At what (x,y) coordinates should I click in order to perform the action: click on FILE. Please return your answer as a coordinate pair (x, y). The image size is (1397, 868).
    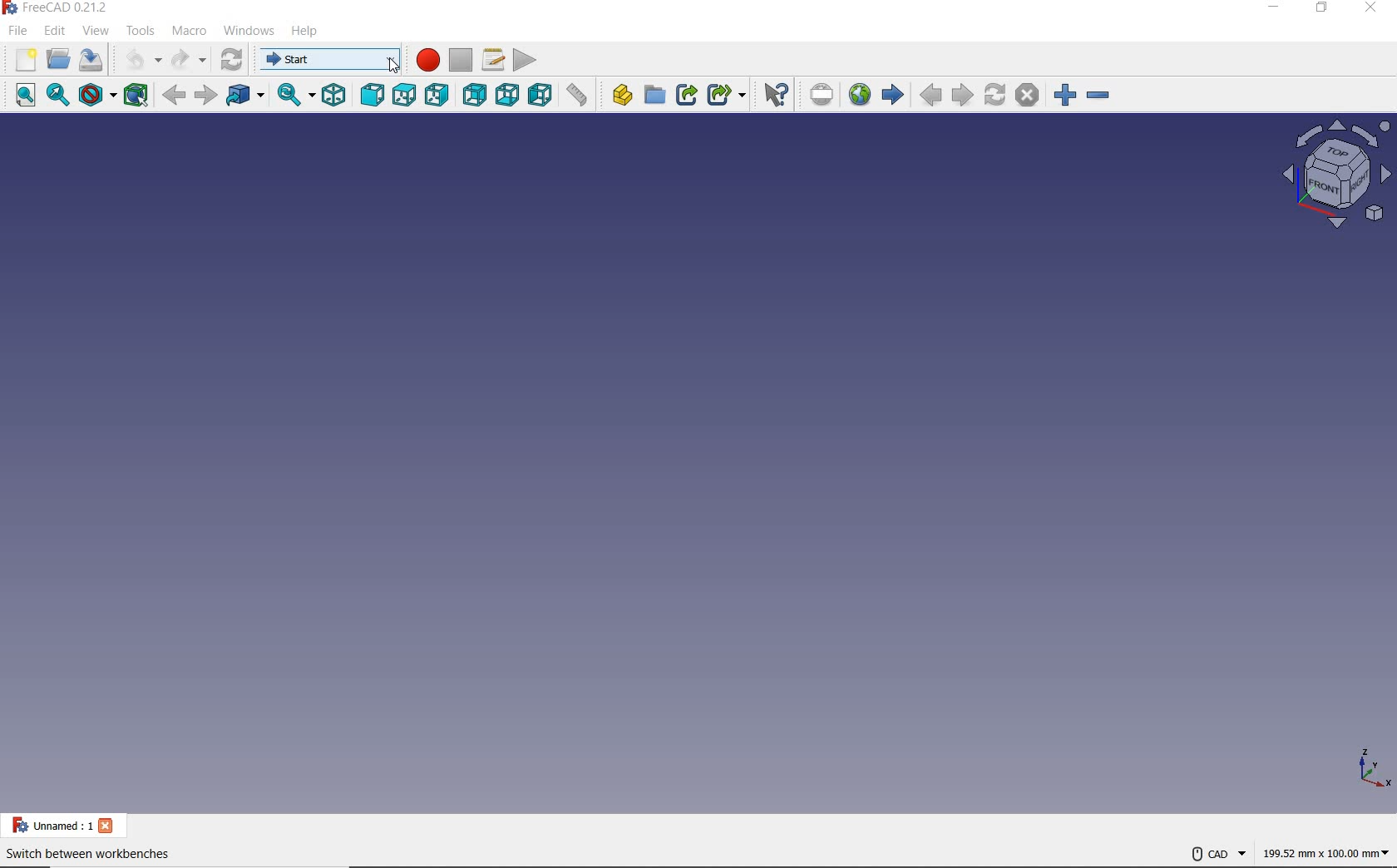
    Looking at the image, I should click on (17, 31).